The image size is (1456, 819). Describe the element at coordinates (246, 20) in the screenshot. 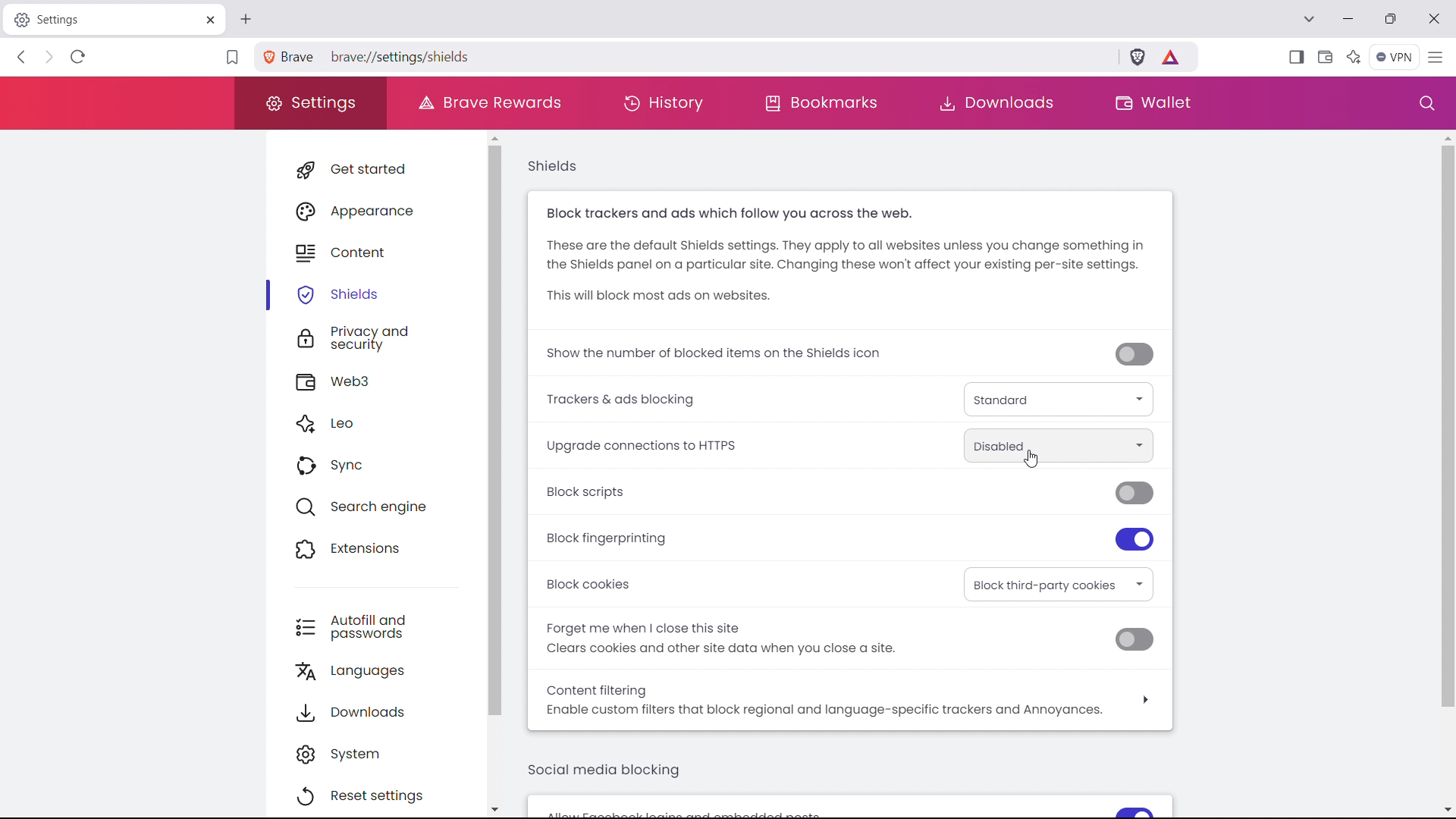

I see `open new tab` at that location.